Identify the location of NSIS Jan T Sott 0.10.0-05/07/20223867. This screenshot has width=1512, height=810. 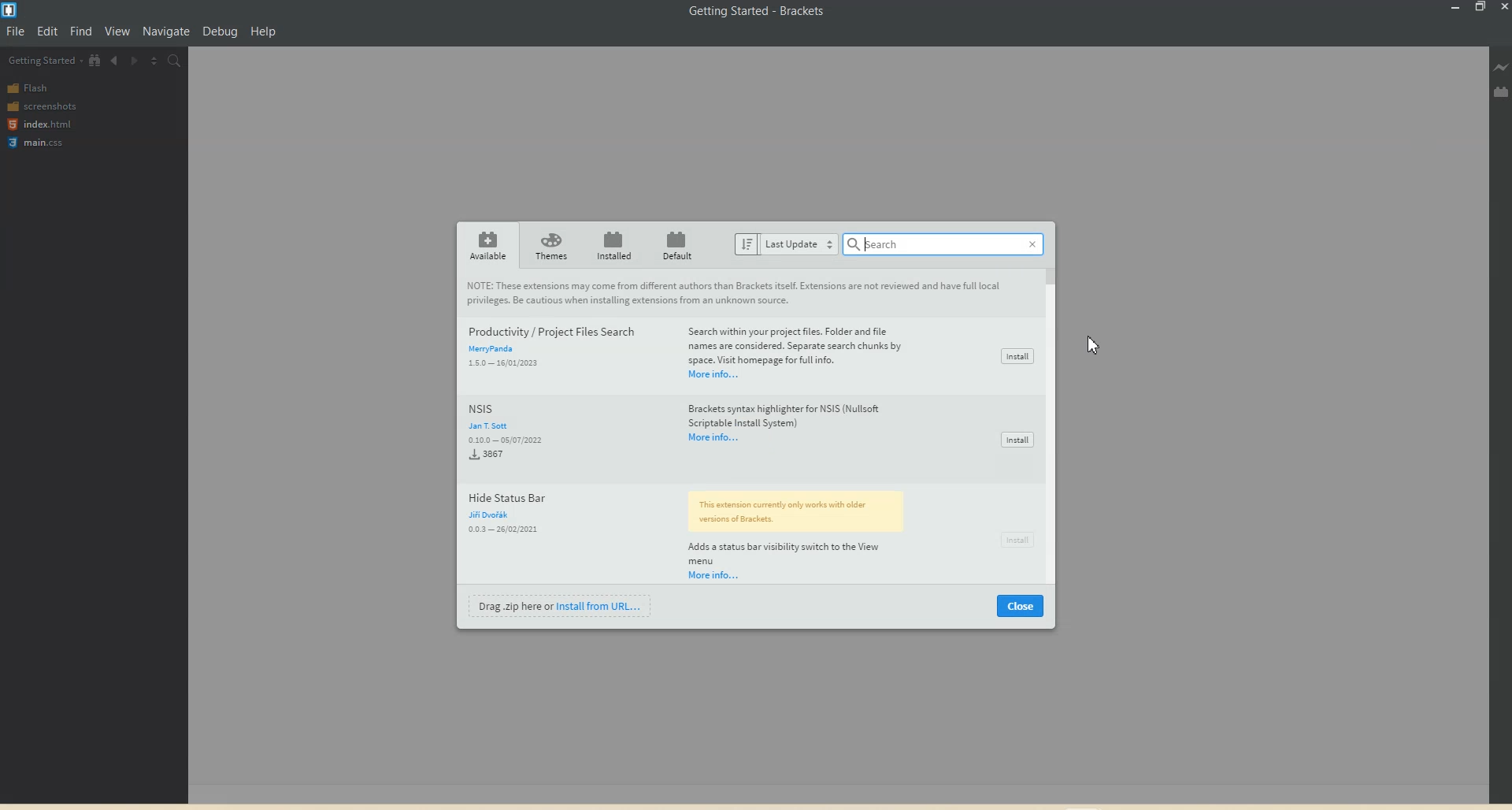
(507, 432).